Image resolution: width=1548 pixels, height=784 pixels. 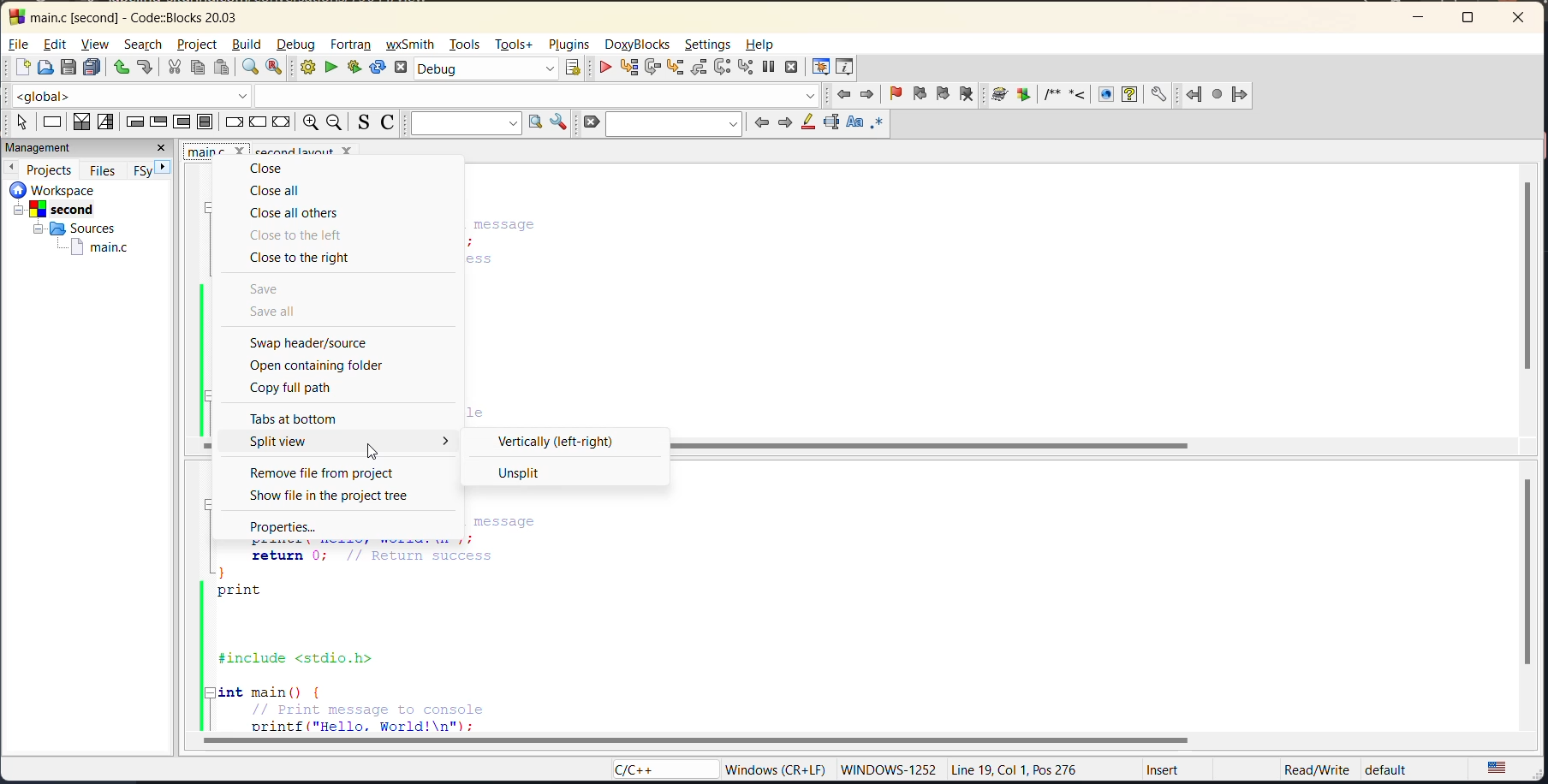 I want to click on code editor, so click(x=481, y=636).